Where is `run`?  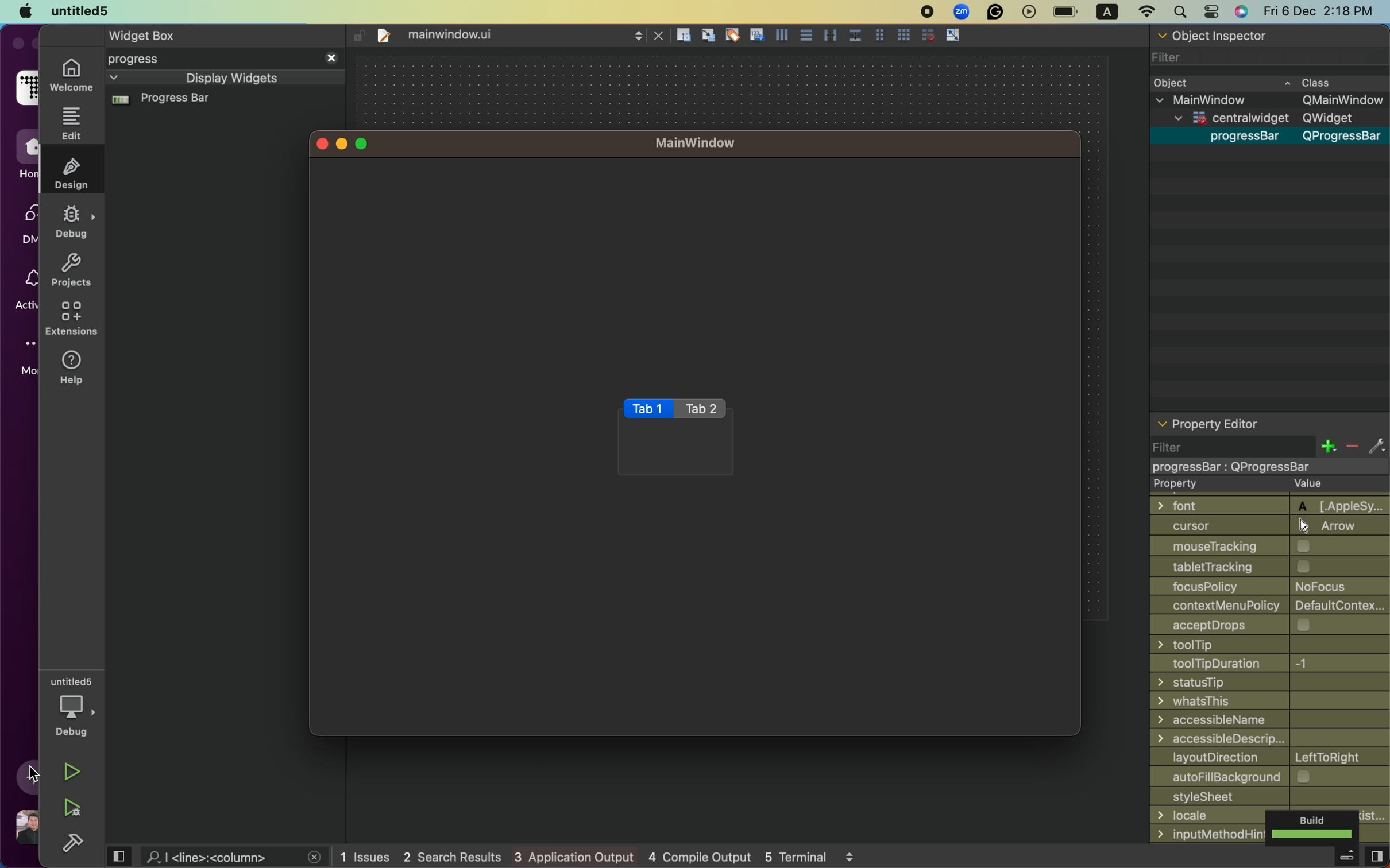 run is located at coordinates (72, 770).